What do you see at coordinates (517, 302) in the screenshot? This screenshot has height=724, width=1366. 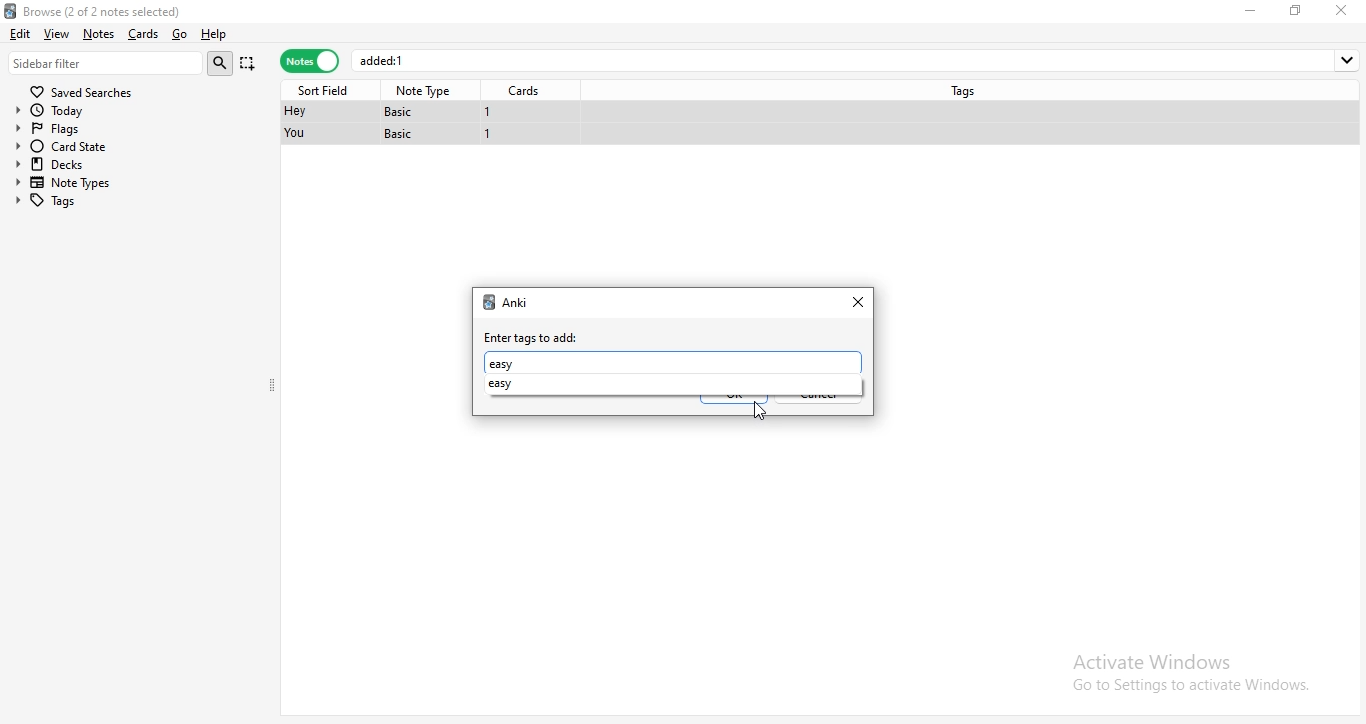 I see `anki` at bounding box center [517, 302].